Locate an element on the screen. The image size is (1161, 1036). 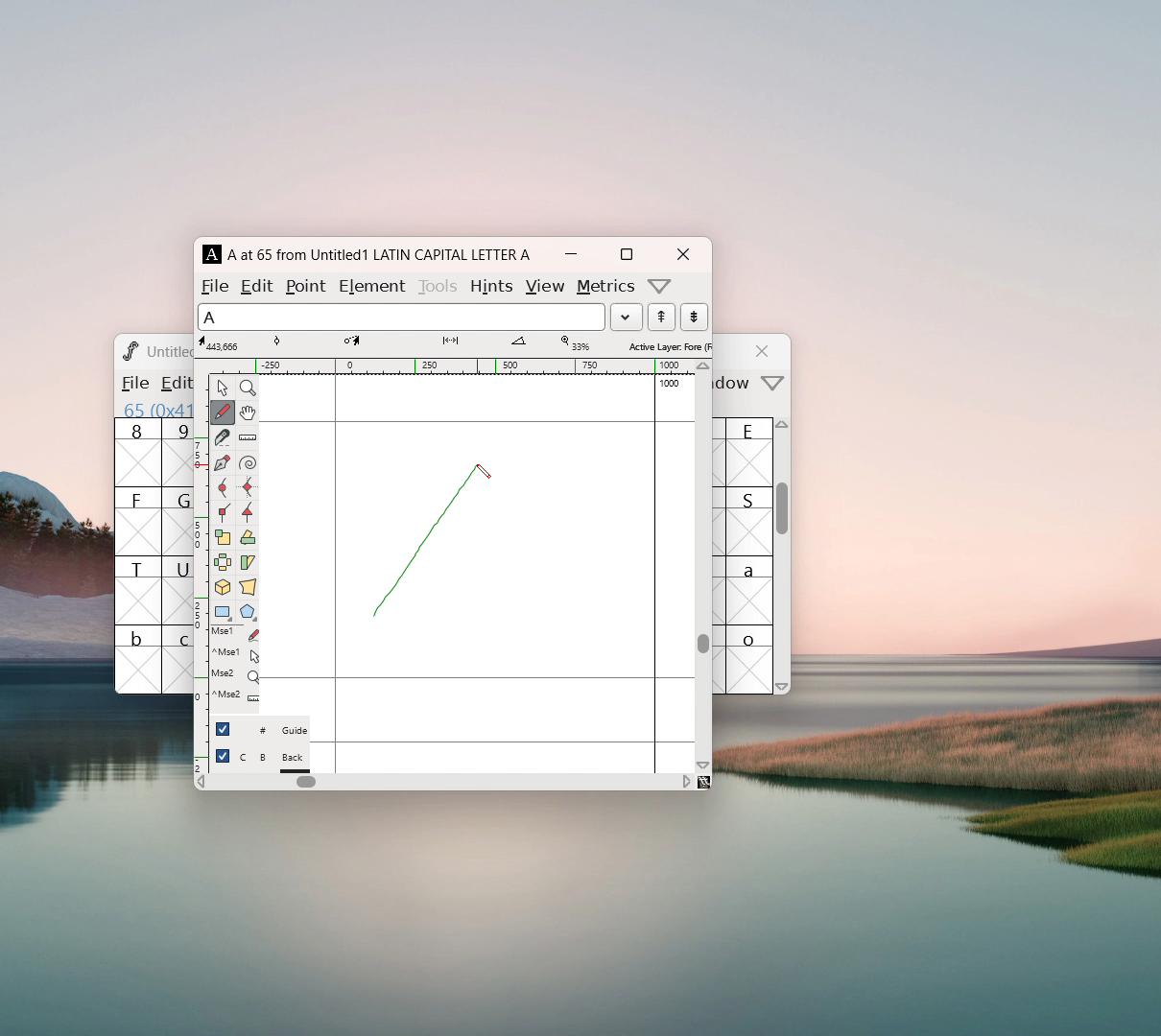
distance from starting point is located at coordinates (451, 344).